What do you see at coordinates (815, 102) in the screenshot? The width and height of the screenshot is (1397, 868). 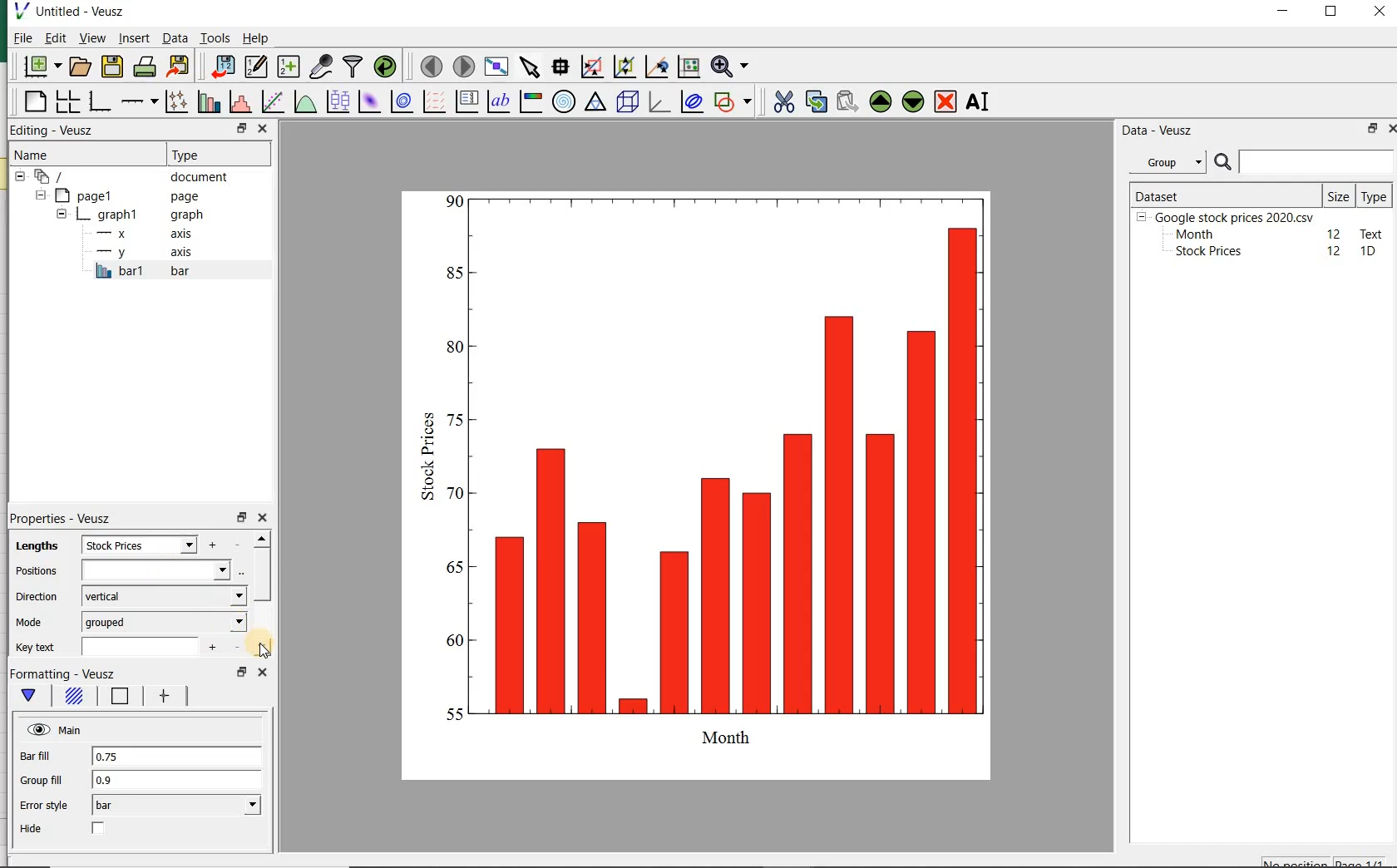 I see `copy the selected widget` at bounding box center [815, 102].